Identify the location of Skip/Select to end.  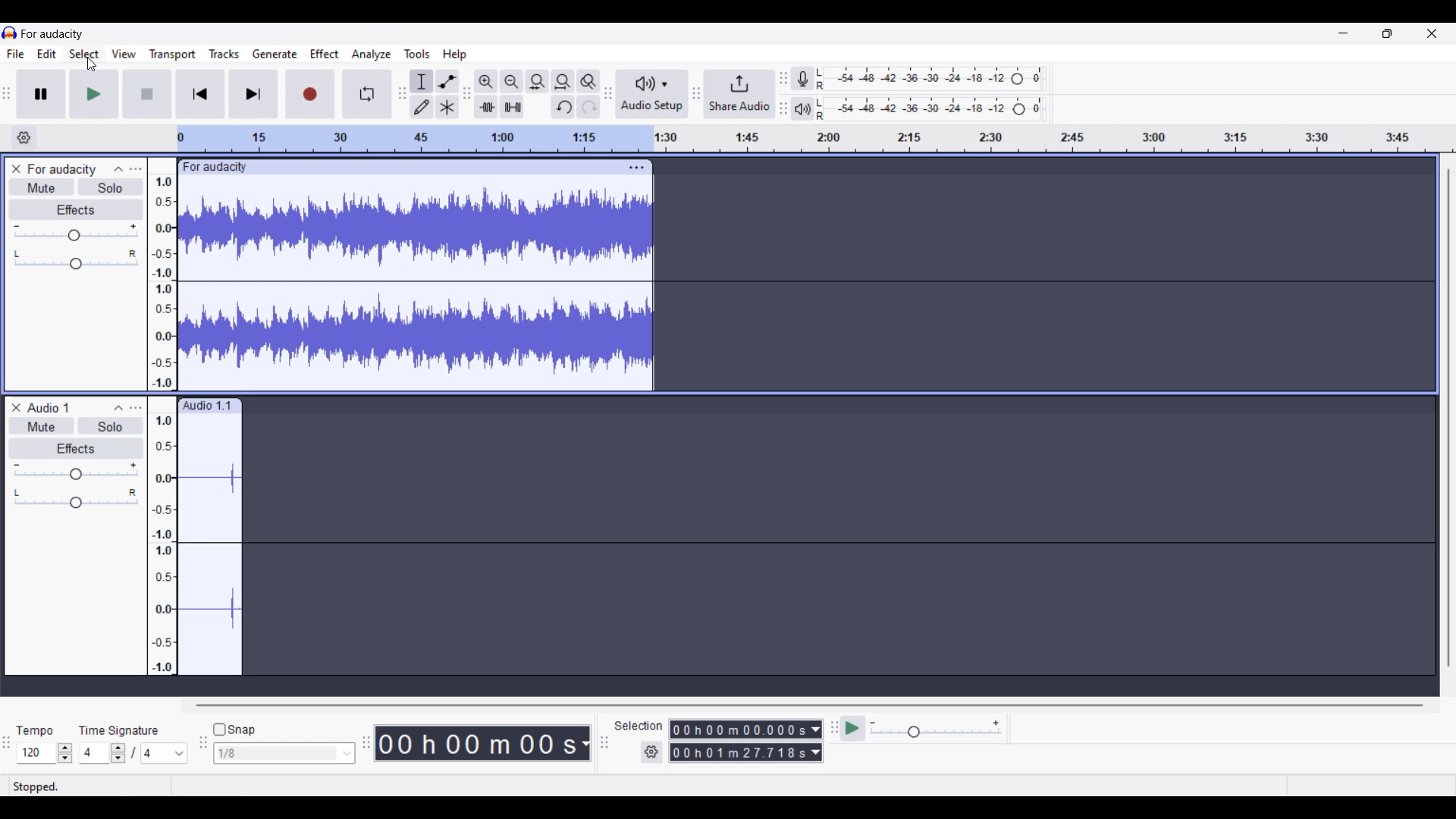
(254, 94).